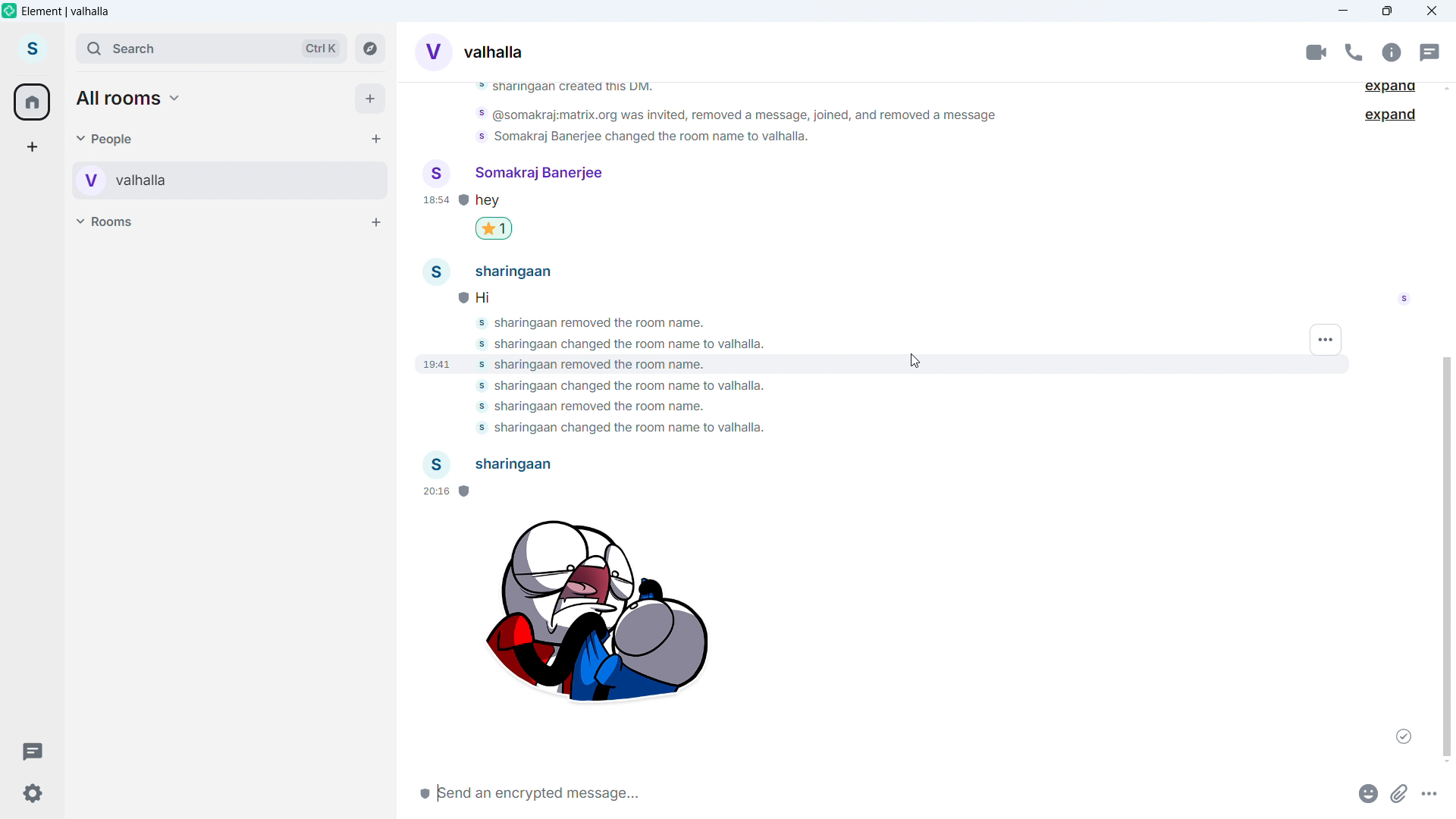 This screenshot has height=819, width=1456. What do you see at coordinates (1353, 52) in the screenshot?
I see `call ` at bounding box center [1353, 52].